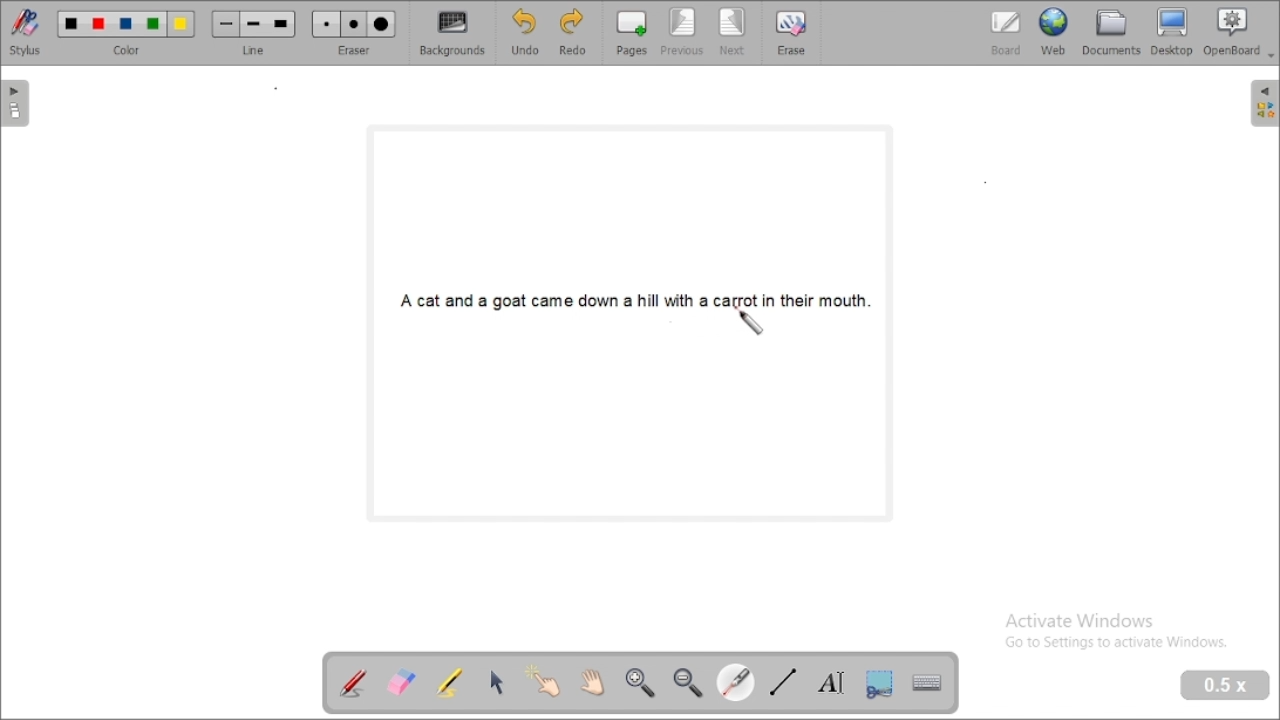 The width and height of the screenshot is (1280, 720). I want to click on backgrounds, so click(454, 33).